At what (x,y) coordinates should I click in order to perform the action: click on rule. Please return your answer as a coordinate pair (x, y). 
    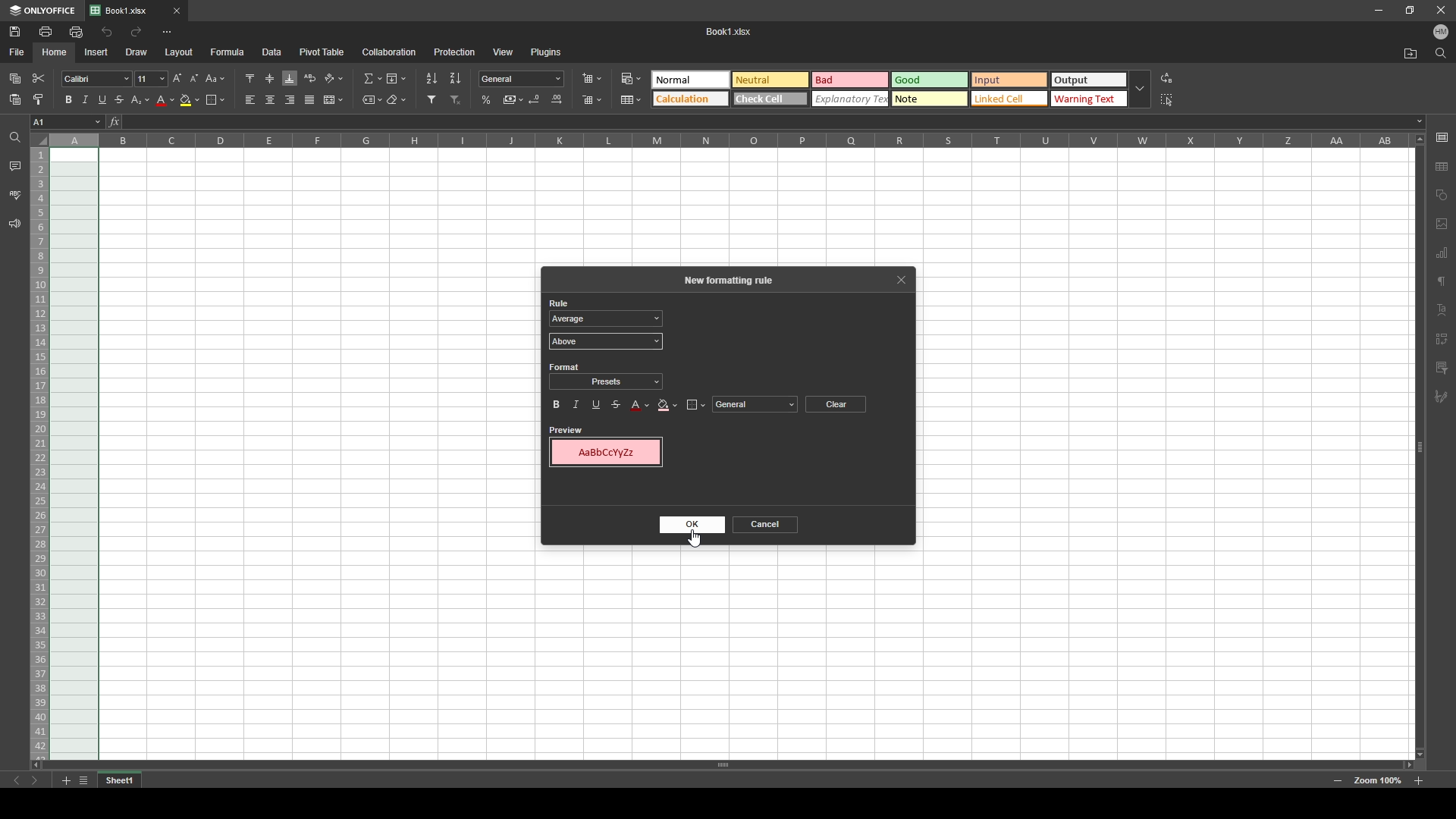
    Looking at the image, I should click on (560, 303).